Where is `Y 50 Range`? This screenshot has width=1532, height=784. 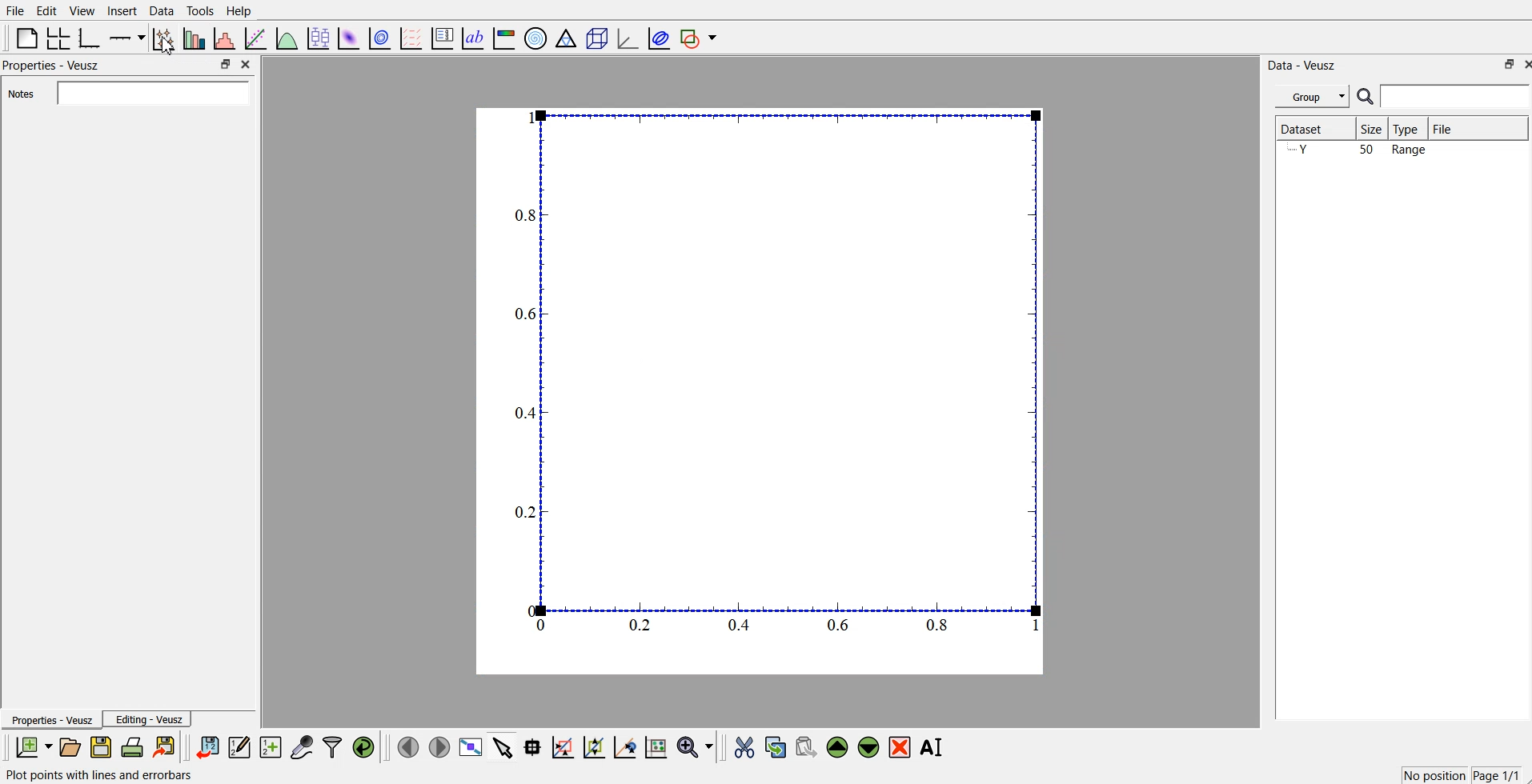
Y 50 Range is located at coordinates (1358, 150).